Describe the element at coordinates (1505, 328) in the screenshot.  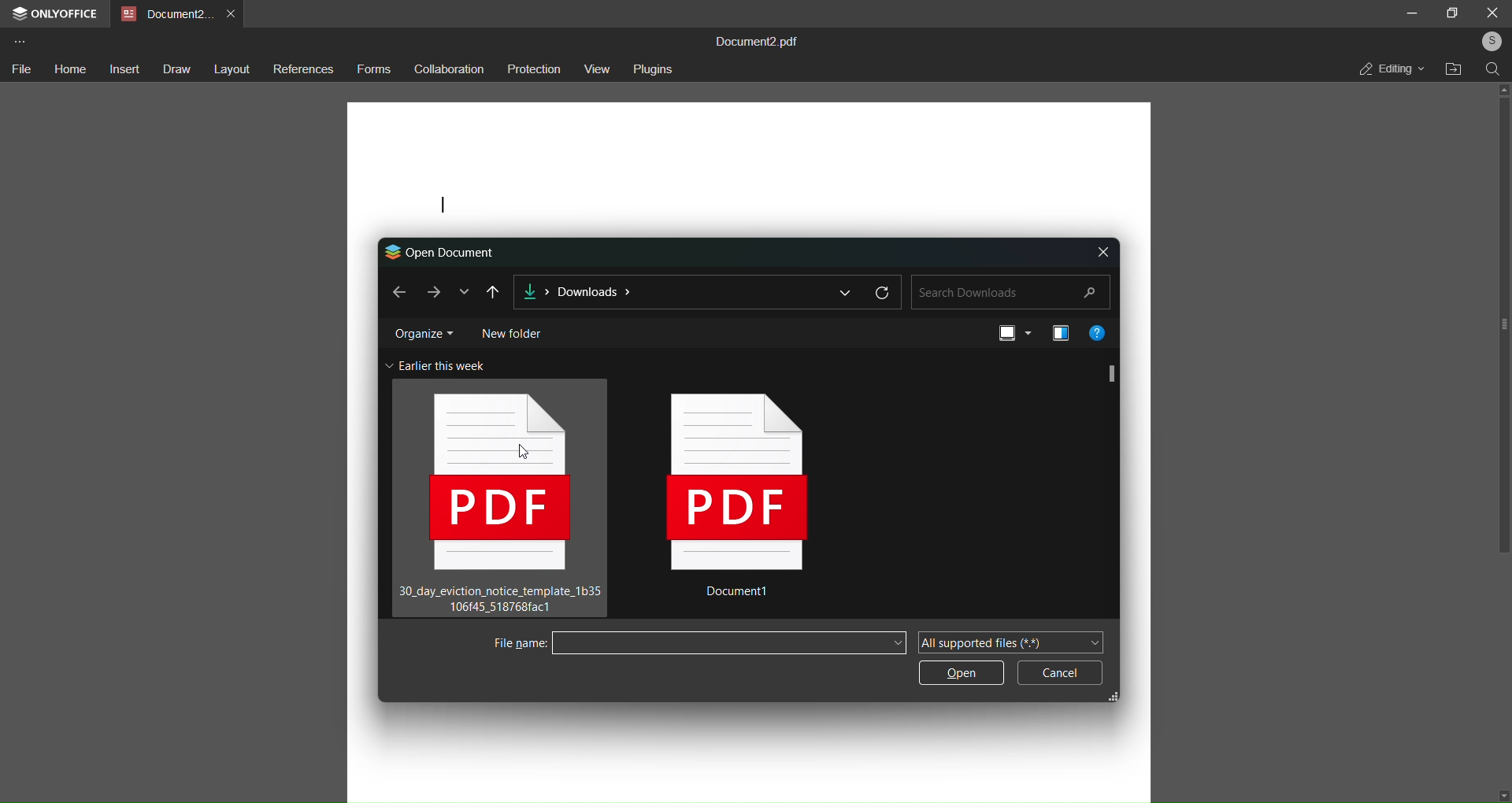
I see `scroll bar` at that location.